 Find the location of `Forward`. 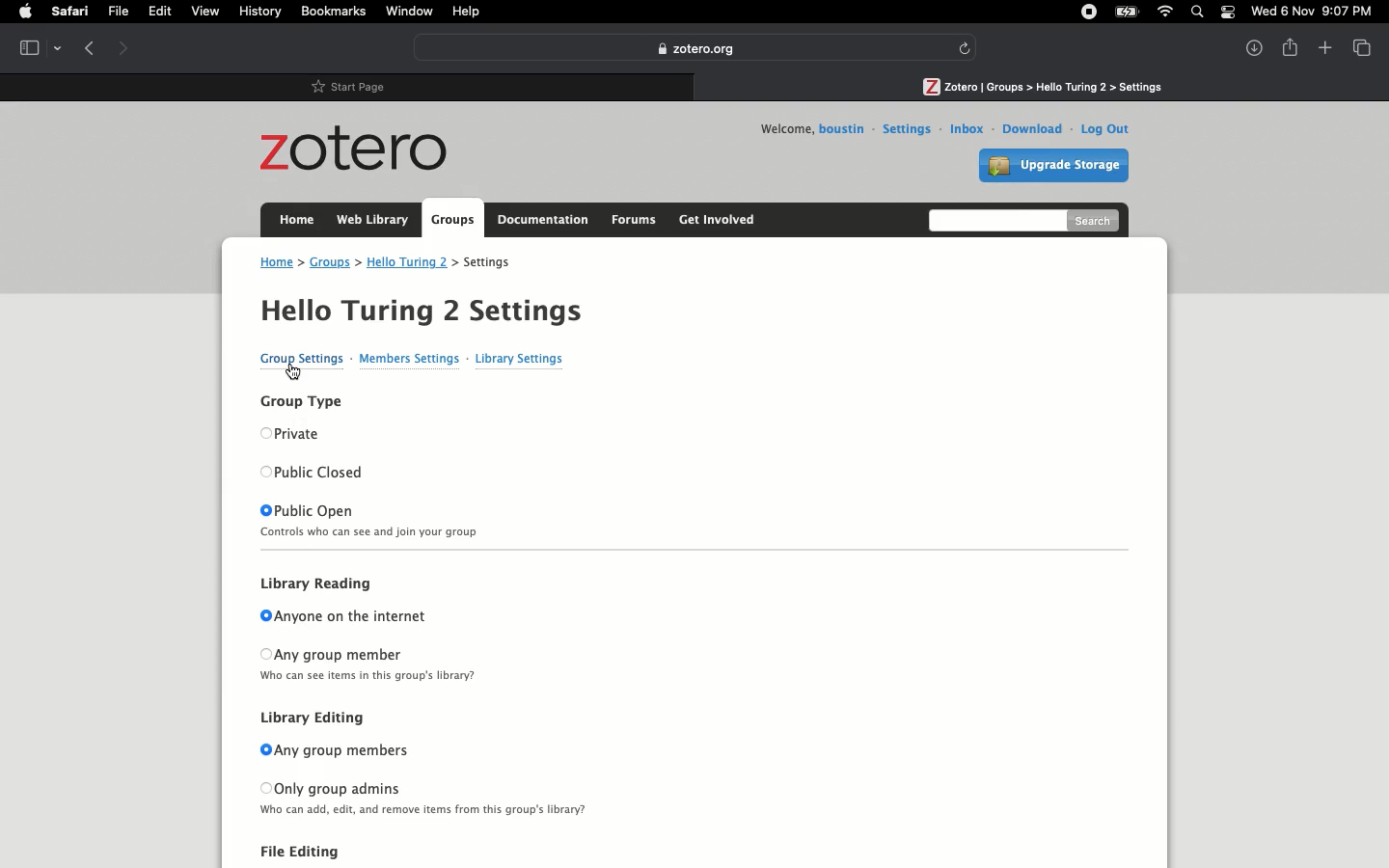

Forward is located at coordinates (123, 46).